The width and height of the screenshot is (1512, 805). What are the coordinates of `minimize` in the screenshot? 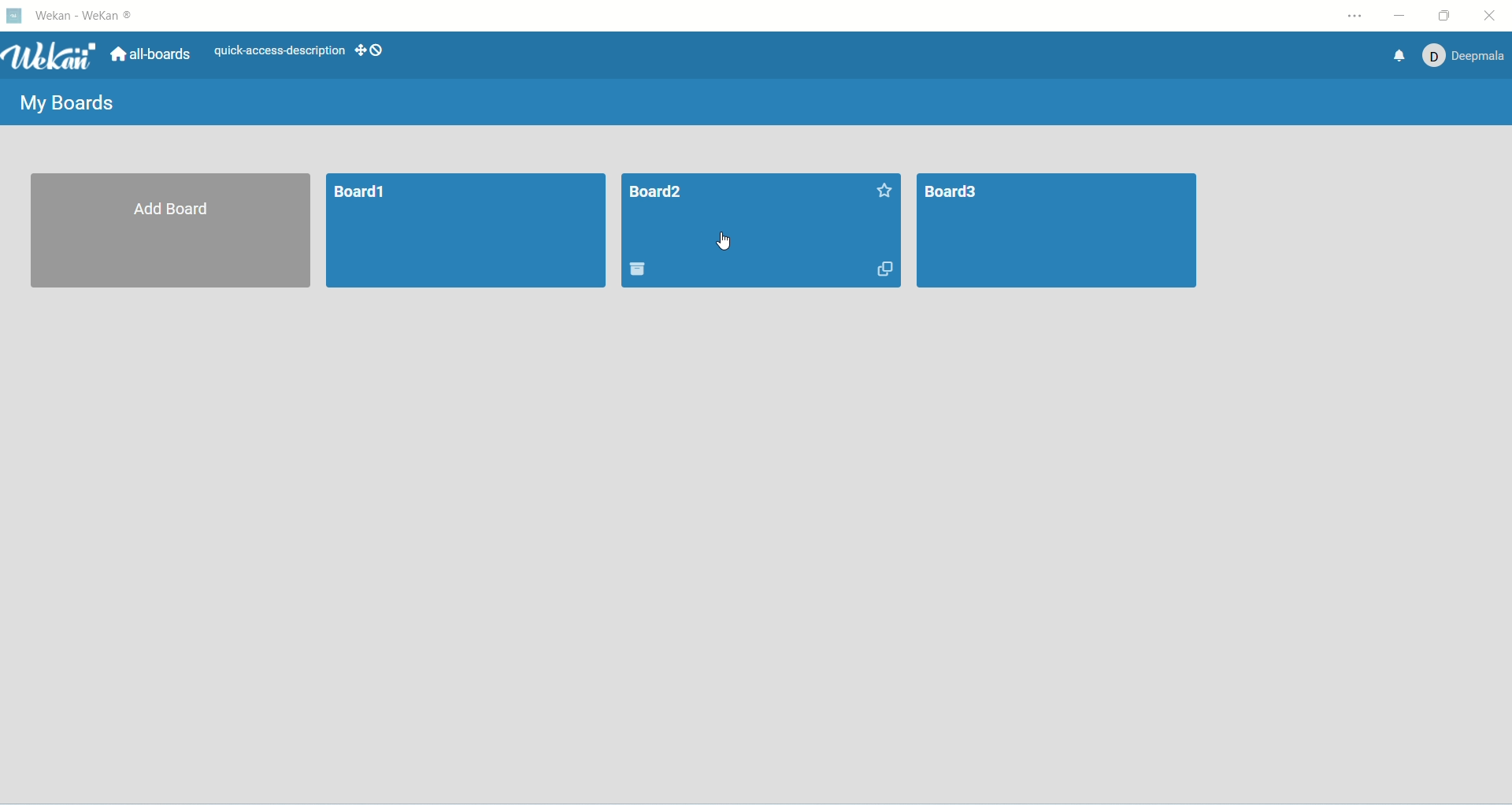 It's located at (1403, 19).